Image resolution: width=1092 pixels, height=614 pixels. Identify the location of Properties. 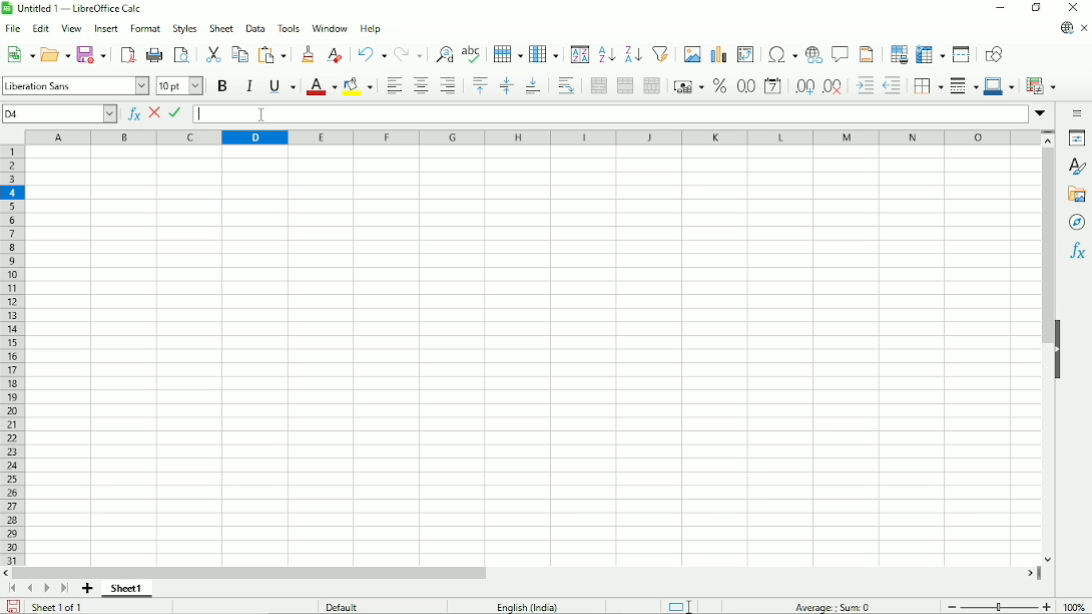
(1077, 138).